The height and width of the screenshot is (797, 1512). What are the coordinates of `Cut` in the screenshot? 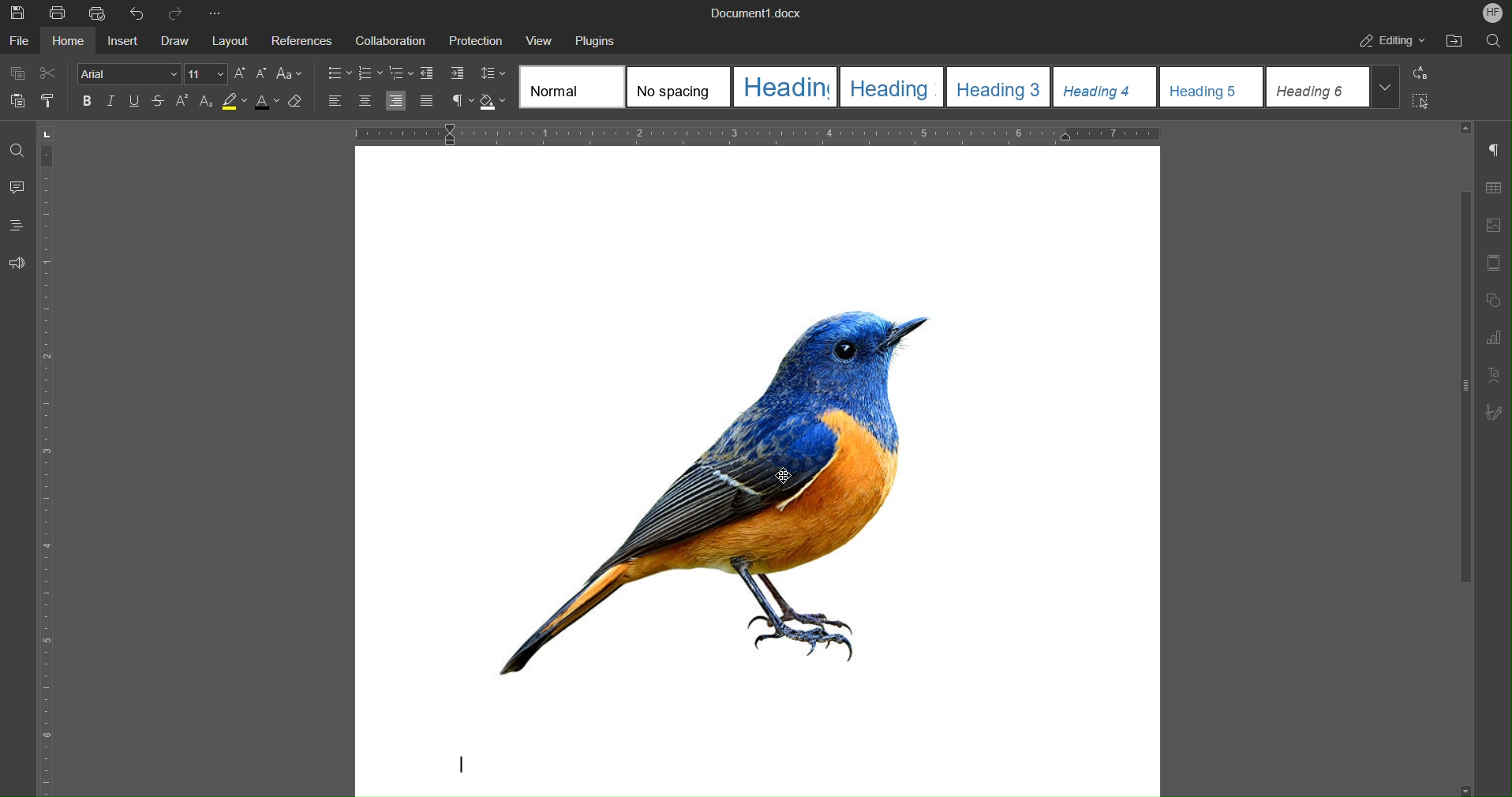 It's located at (50, 73).